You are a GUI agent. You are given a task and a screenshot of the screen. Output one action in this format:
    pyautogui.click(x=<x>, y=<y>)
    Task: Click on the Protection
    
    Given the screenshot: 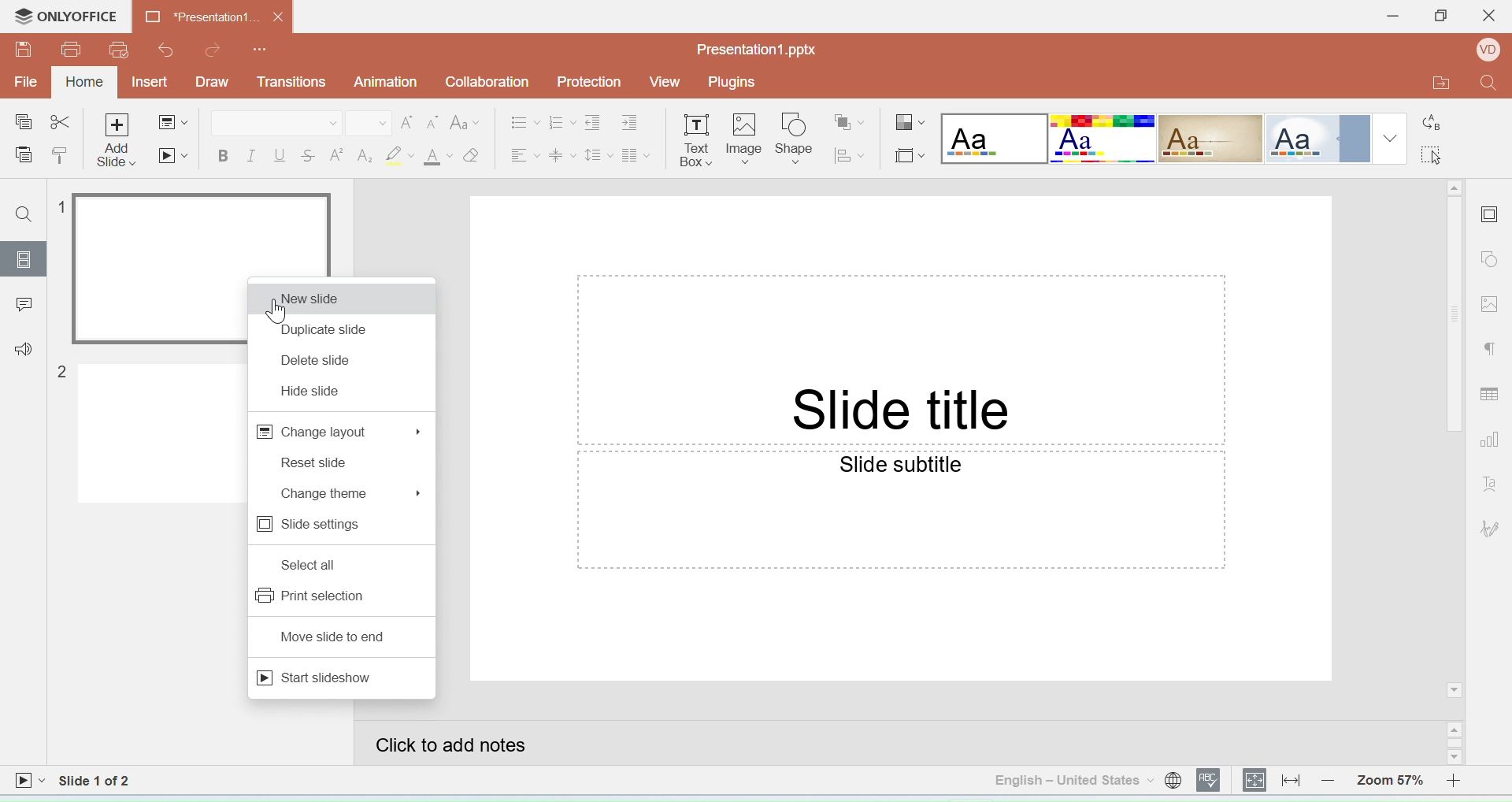 What is the action you would take?
    pyautogui.click(x=594, y=83)
    